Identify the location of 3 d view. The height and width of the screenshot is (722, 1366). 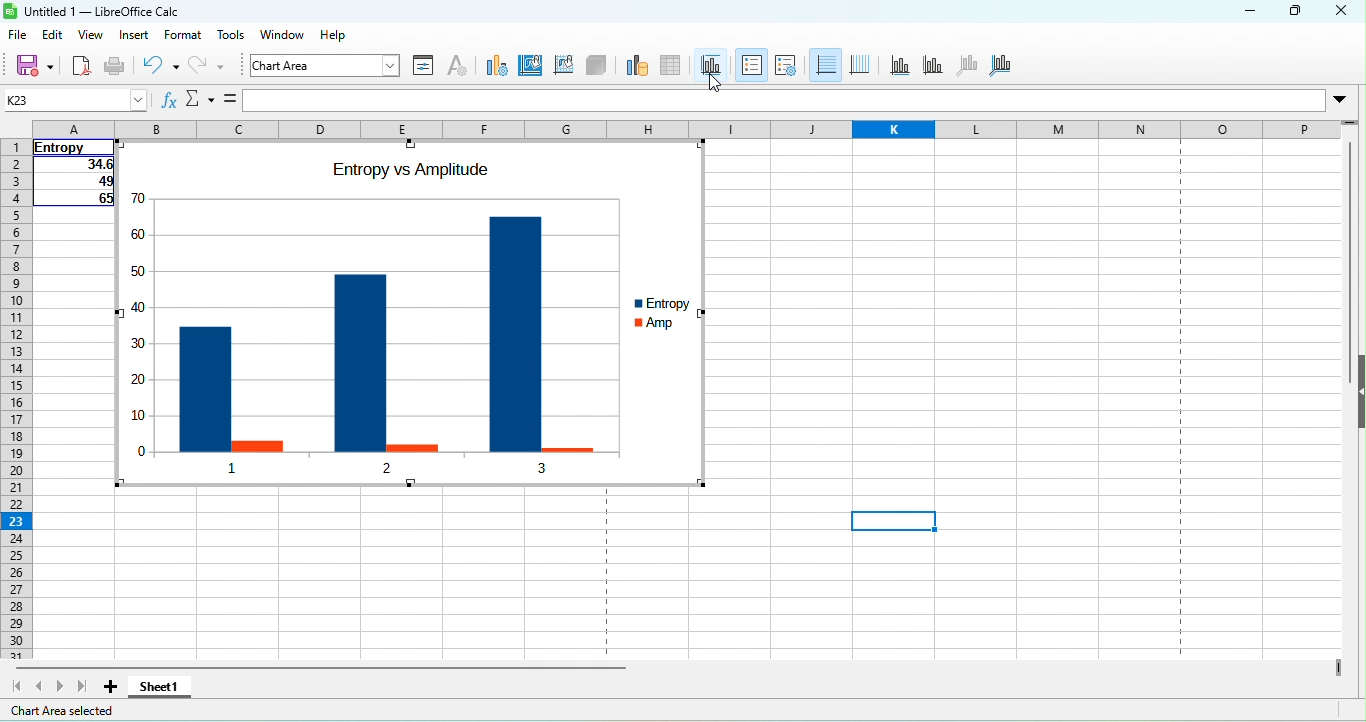
(599, 68).